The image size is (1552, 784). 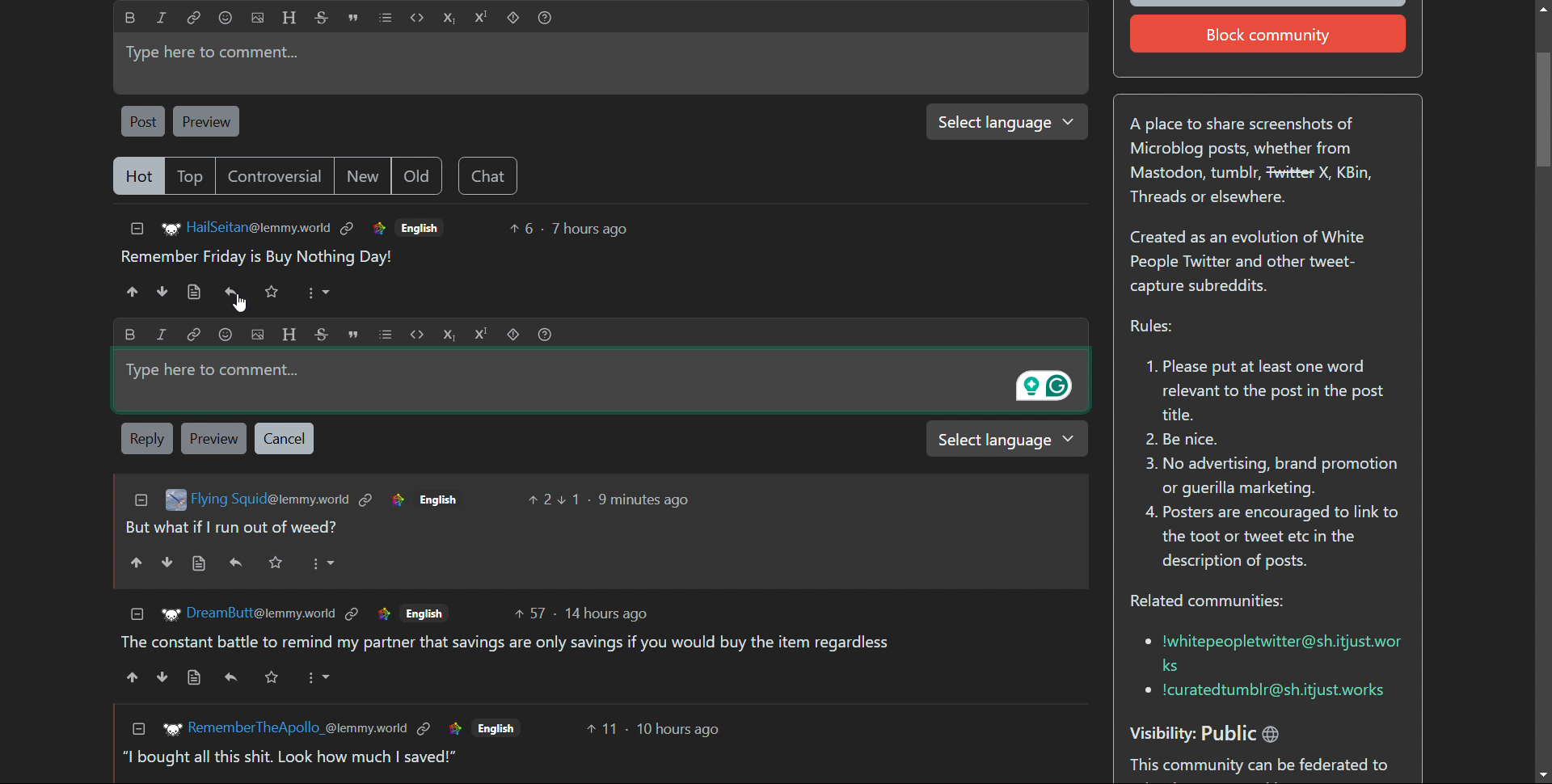 I want to click on emoji, so click(x=229, y=334).